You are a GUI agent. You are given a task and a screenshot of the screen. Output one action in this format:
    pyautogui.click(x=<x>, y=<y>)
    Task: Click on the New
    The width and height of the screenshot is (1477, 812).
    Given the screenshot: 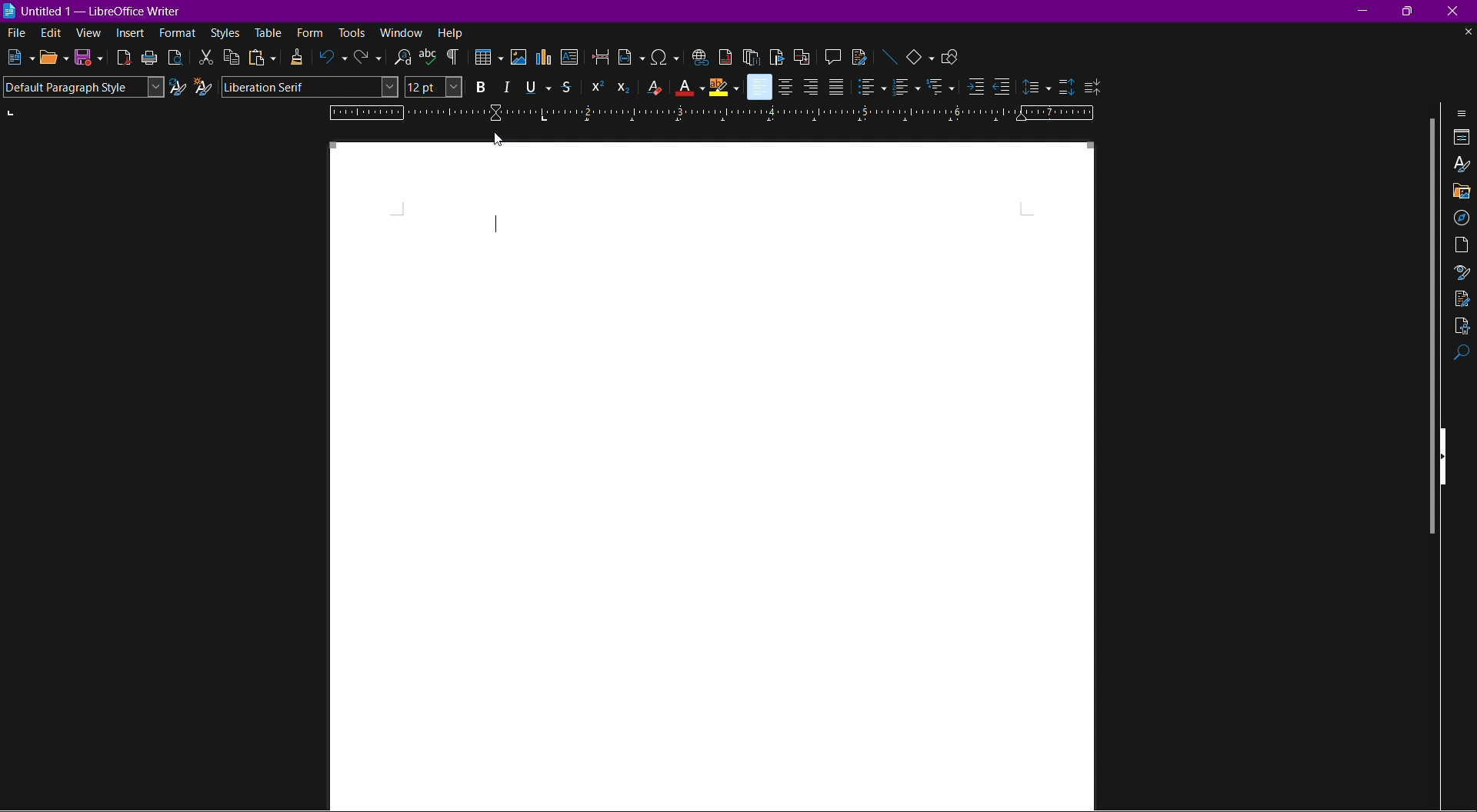 What is the action you would take?
    pyautogui.click(x=18, y=58)
    